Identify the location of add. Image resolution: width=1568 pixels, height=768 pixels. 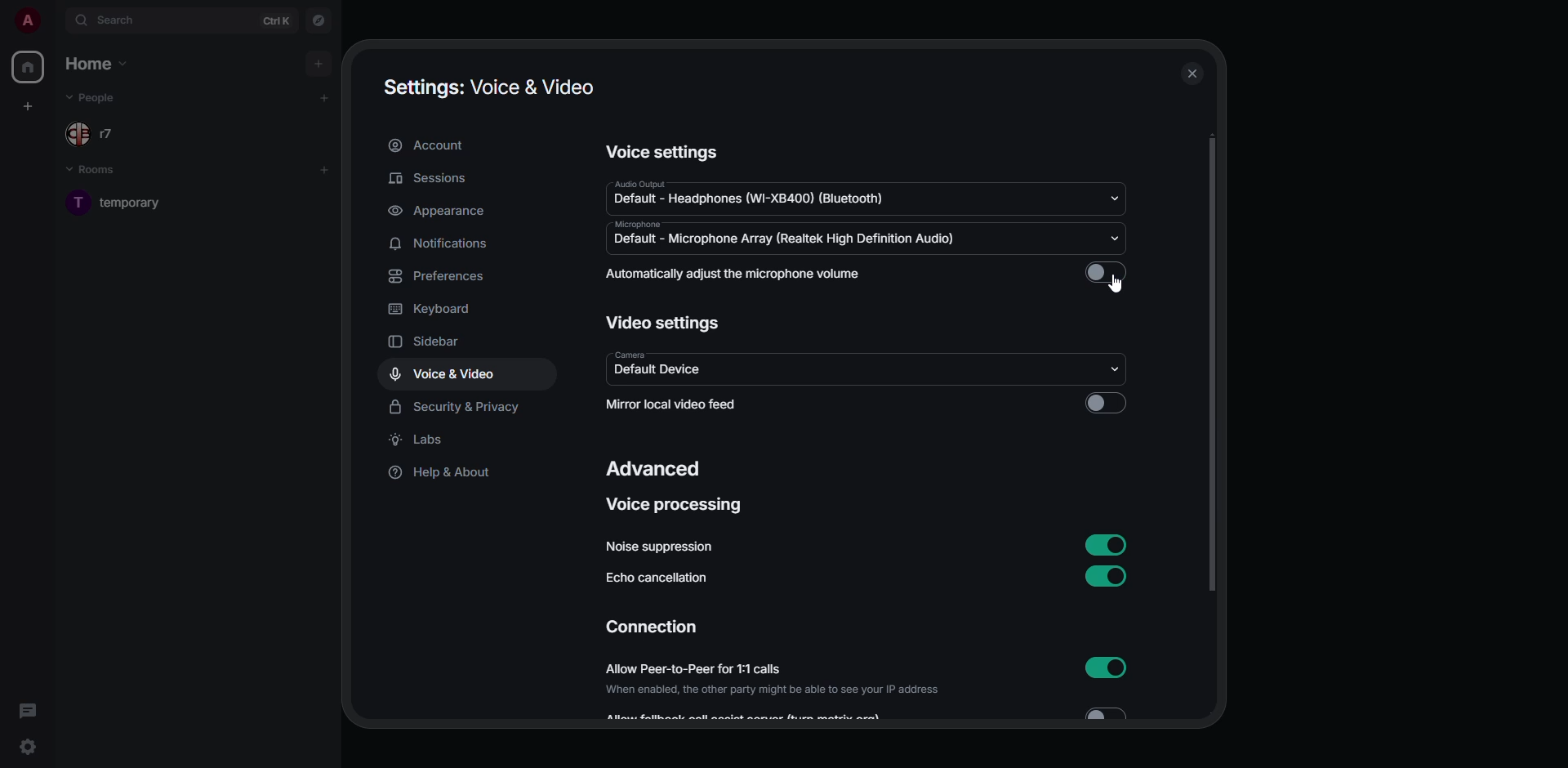
(329, 170).